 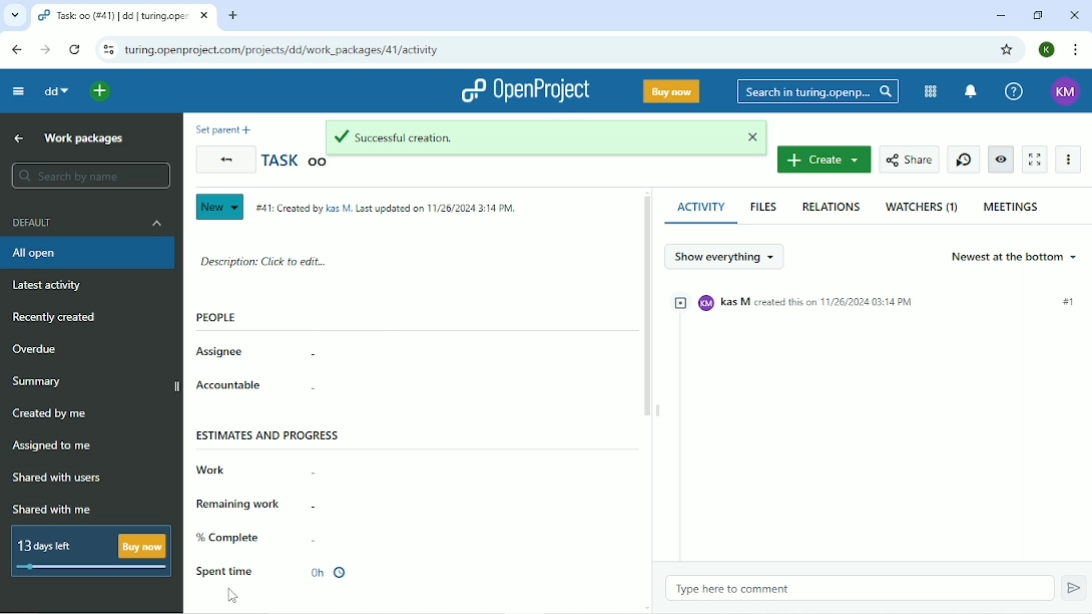 I want to click on Search in turing.openproject.com, so click(x=818, y=91).